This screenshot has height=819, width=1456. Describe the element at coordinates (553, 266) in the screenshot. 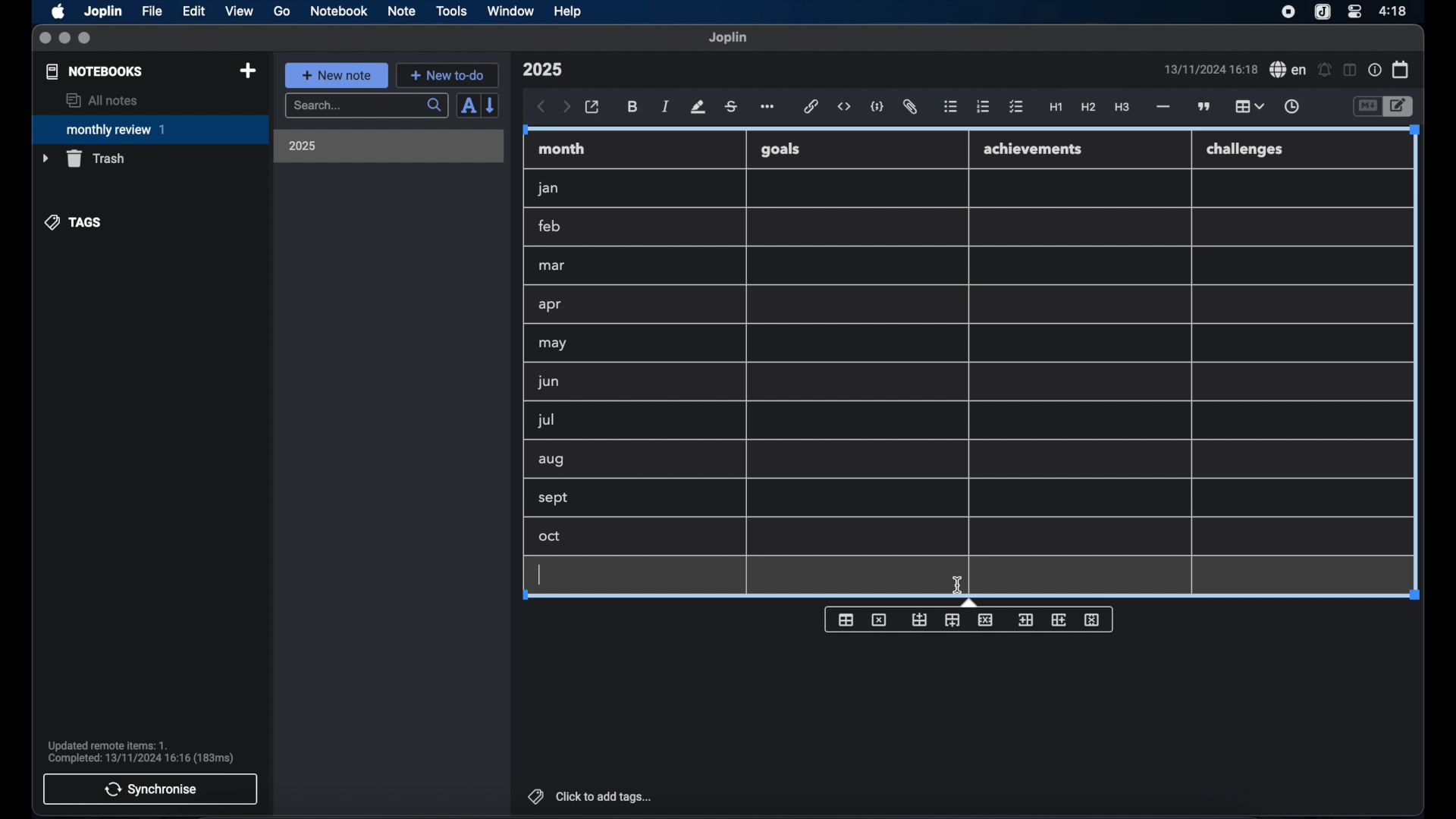

I see `mar` at that location.